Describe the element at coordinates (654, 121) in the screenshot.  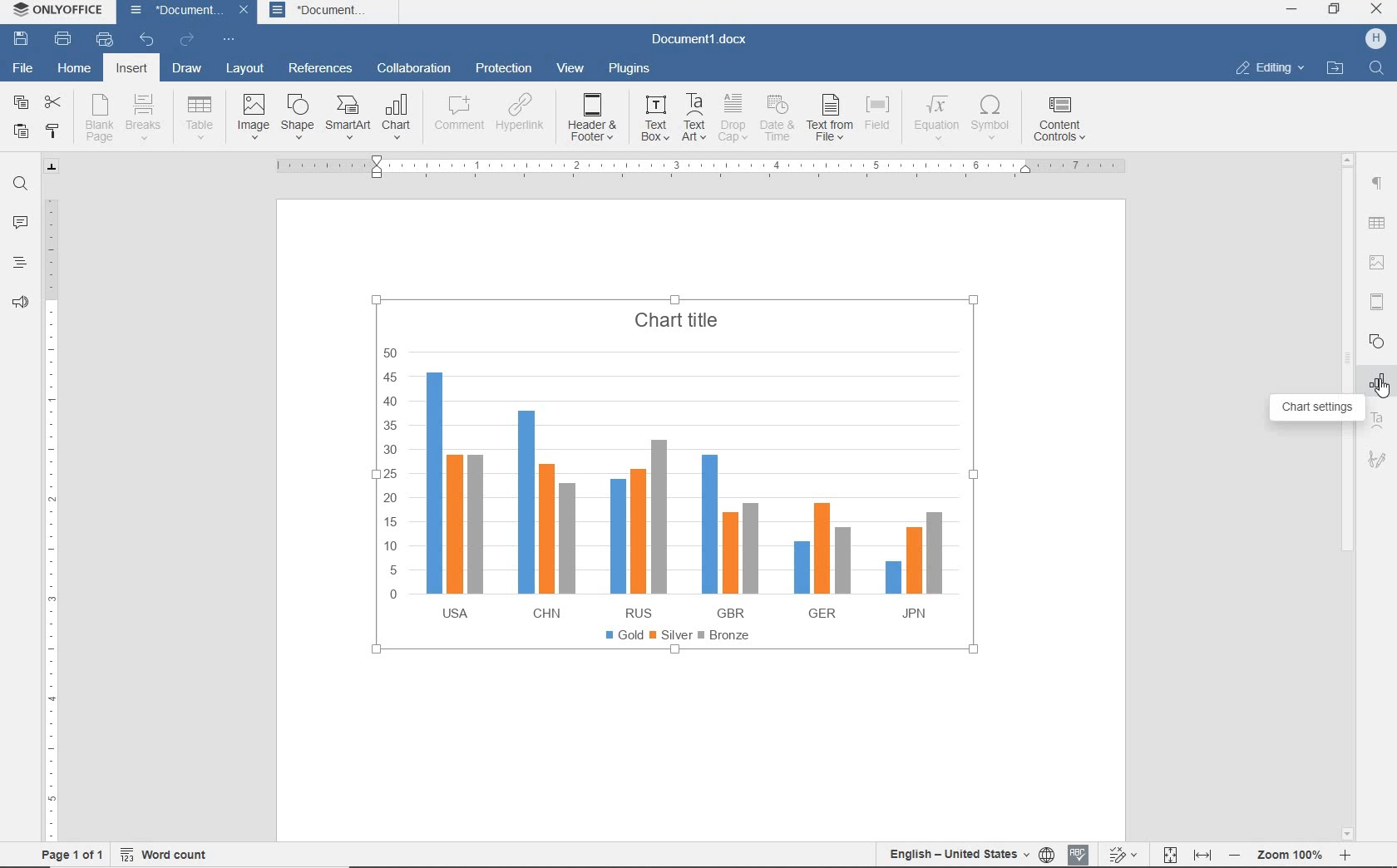
I see `text box` at that location.